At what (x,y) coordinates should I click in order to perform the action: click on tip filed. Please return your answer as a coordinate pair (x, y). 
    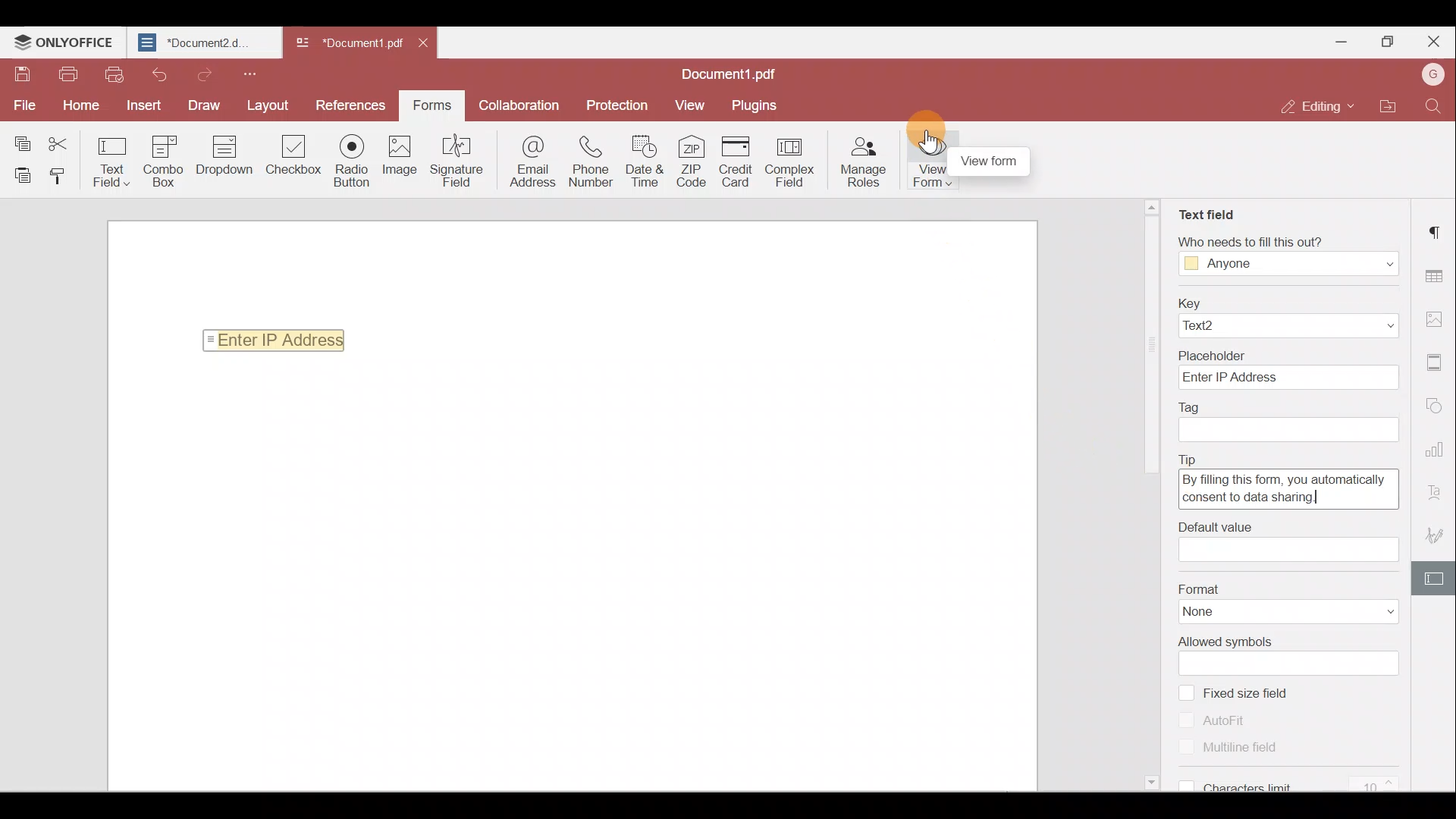
    Looking at the image, I should click on (1220, 526).